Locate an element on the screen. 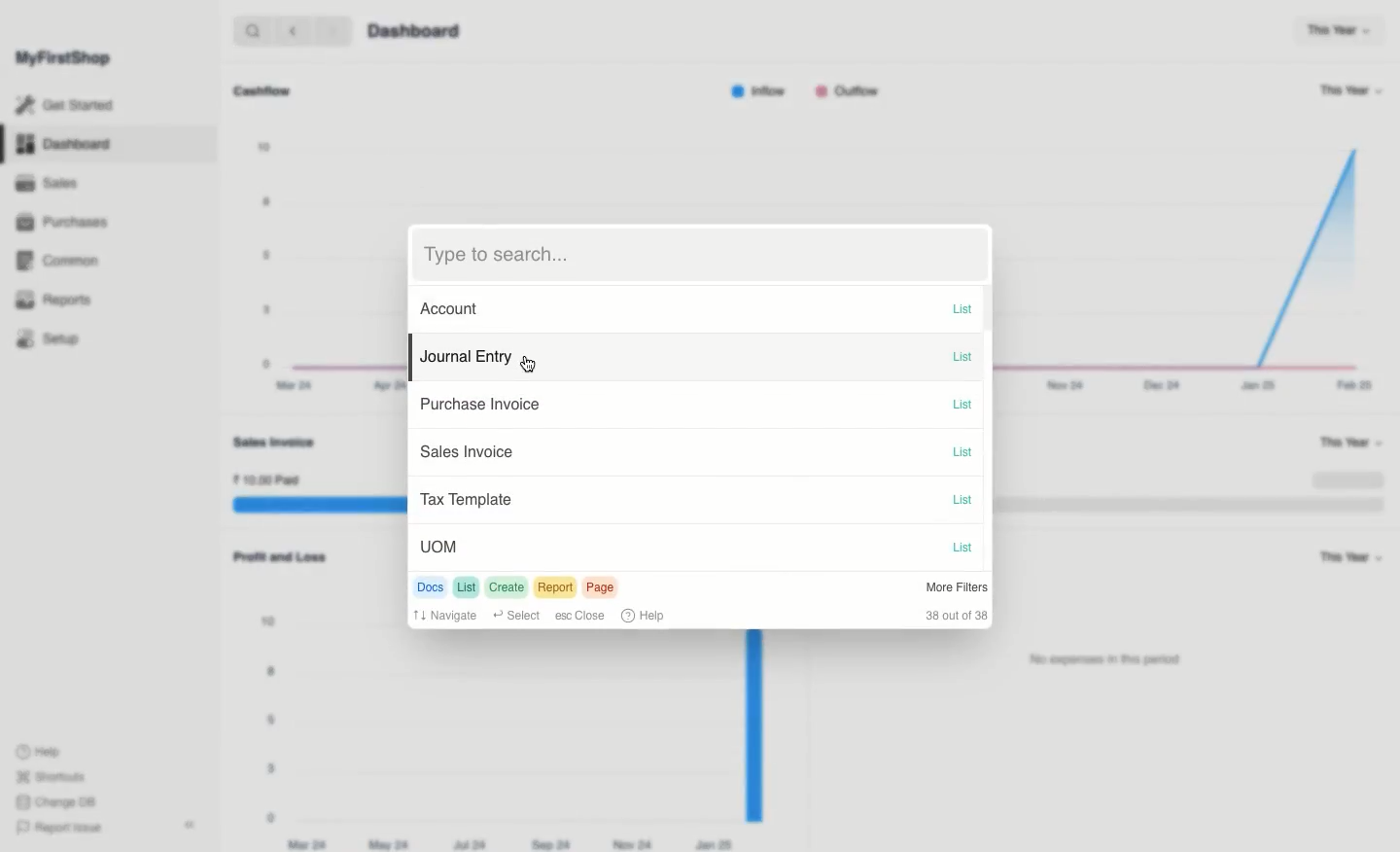 The image size is (1400, 852). cursor is located at coordinates (527, 366).